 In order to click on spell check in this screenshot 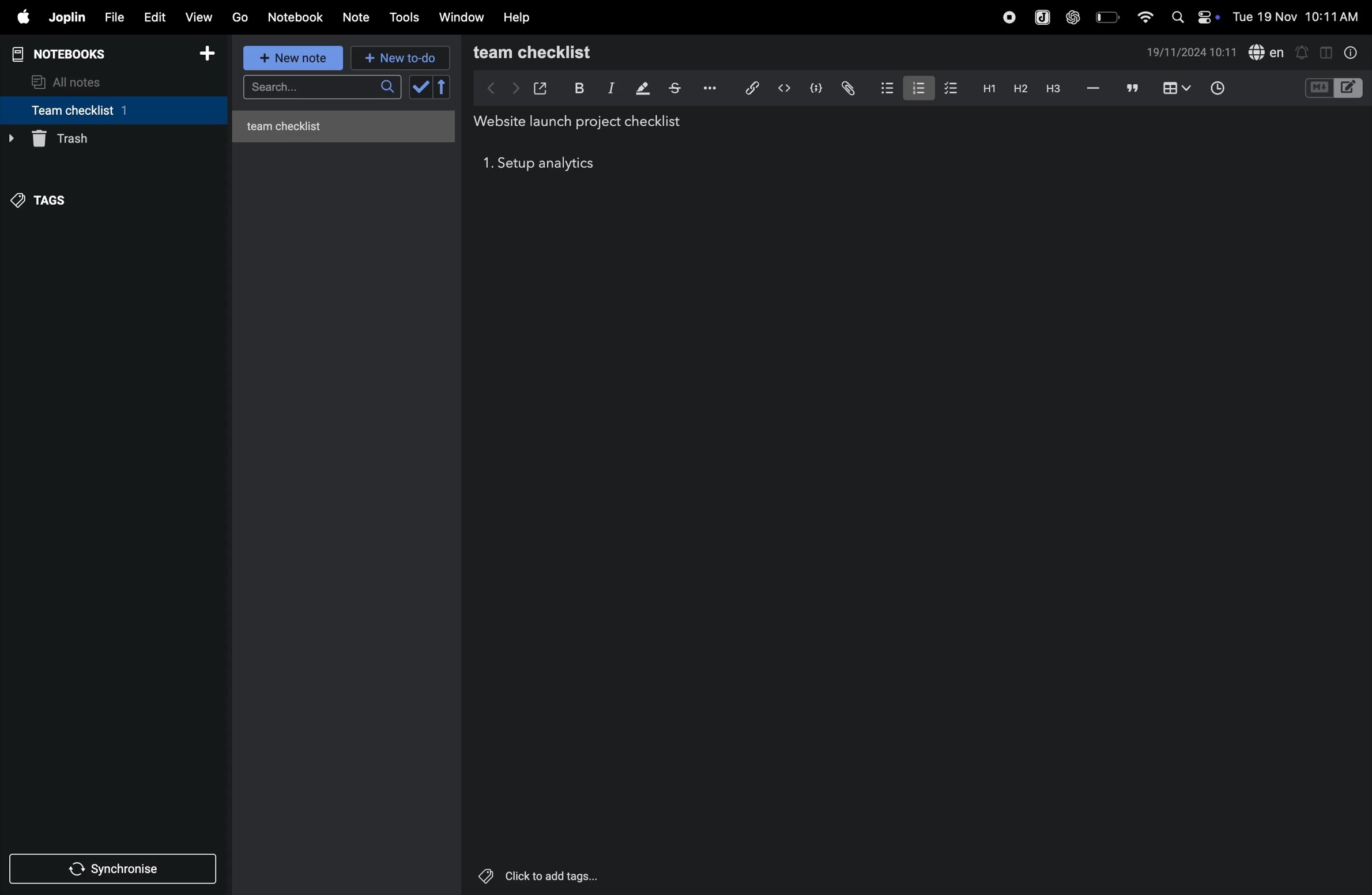, I will do `click(1268, 52)`.